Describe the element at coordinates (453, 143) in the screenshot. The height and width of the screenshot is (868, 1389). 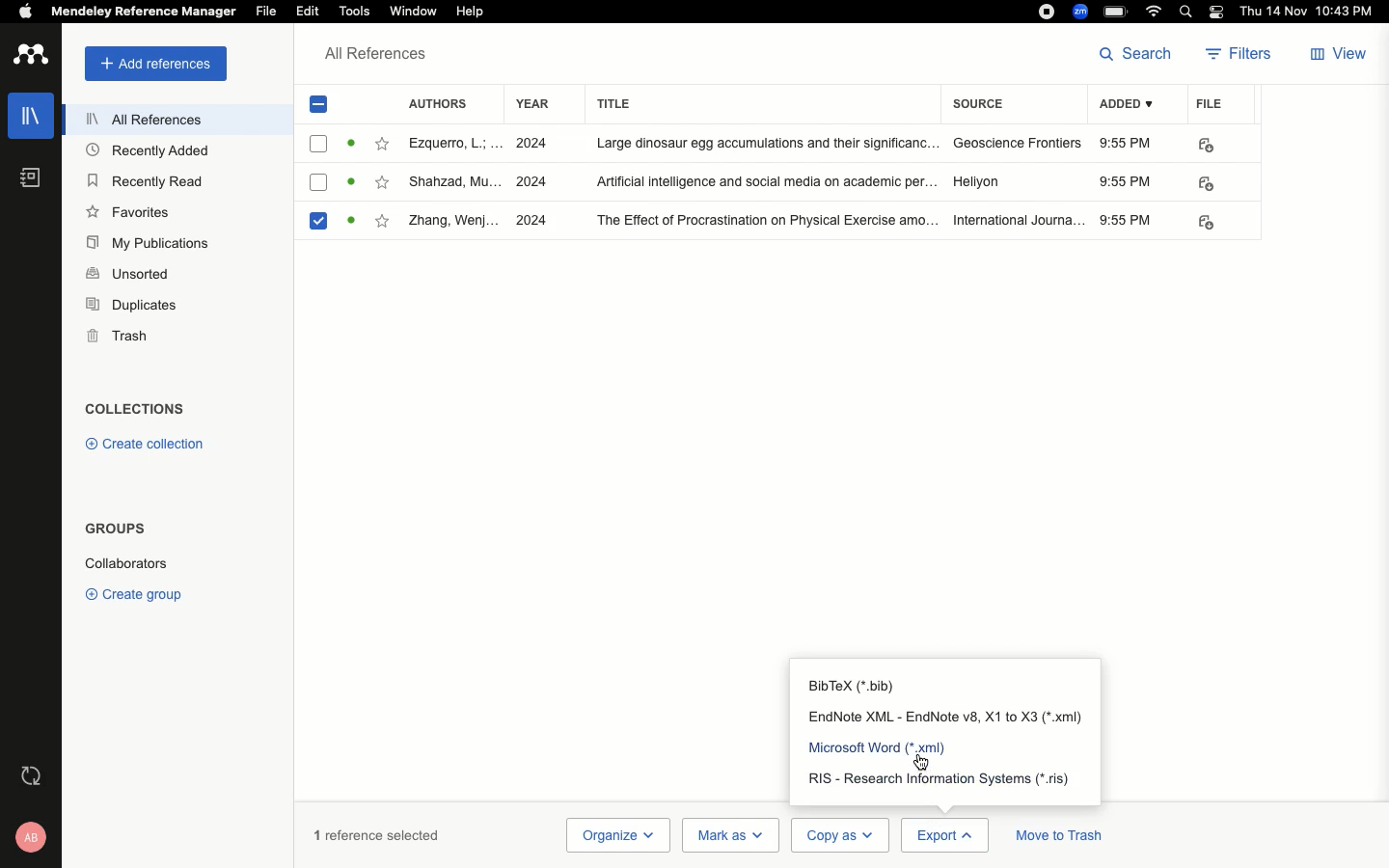
I see `Ezquerro` at that location.